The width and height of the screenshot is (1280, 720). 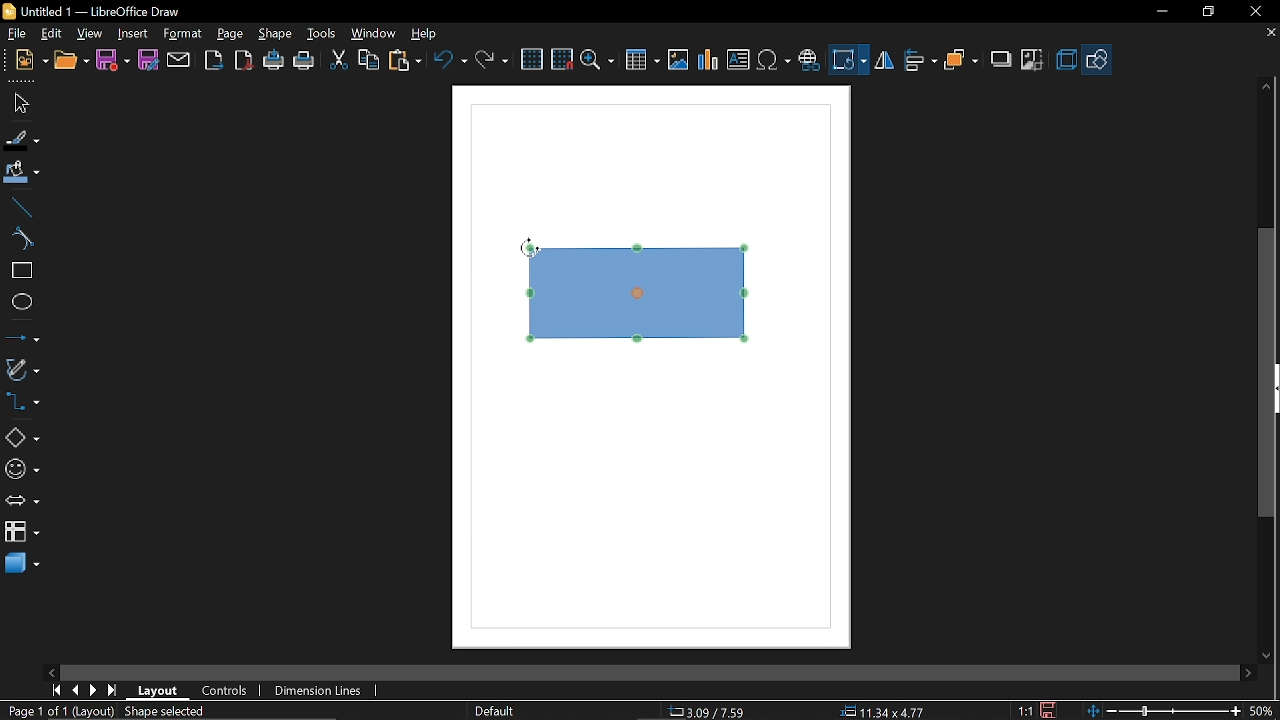 I want to click on arrows, so click(x=22, y=503).